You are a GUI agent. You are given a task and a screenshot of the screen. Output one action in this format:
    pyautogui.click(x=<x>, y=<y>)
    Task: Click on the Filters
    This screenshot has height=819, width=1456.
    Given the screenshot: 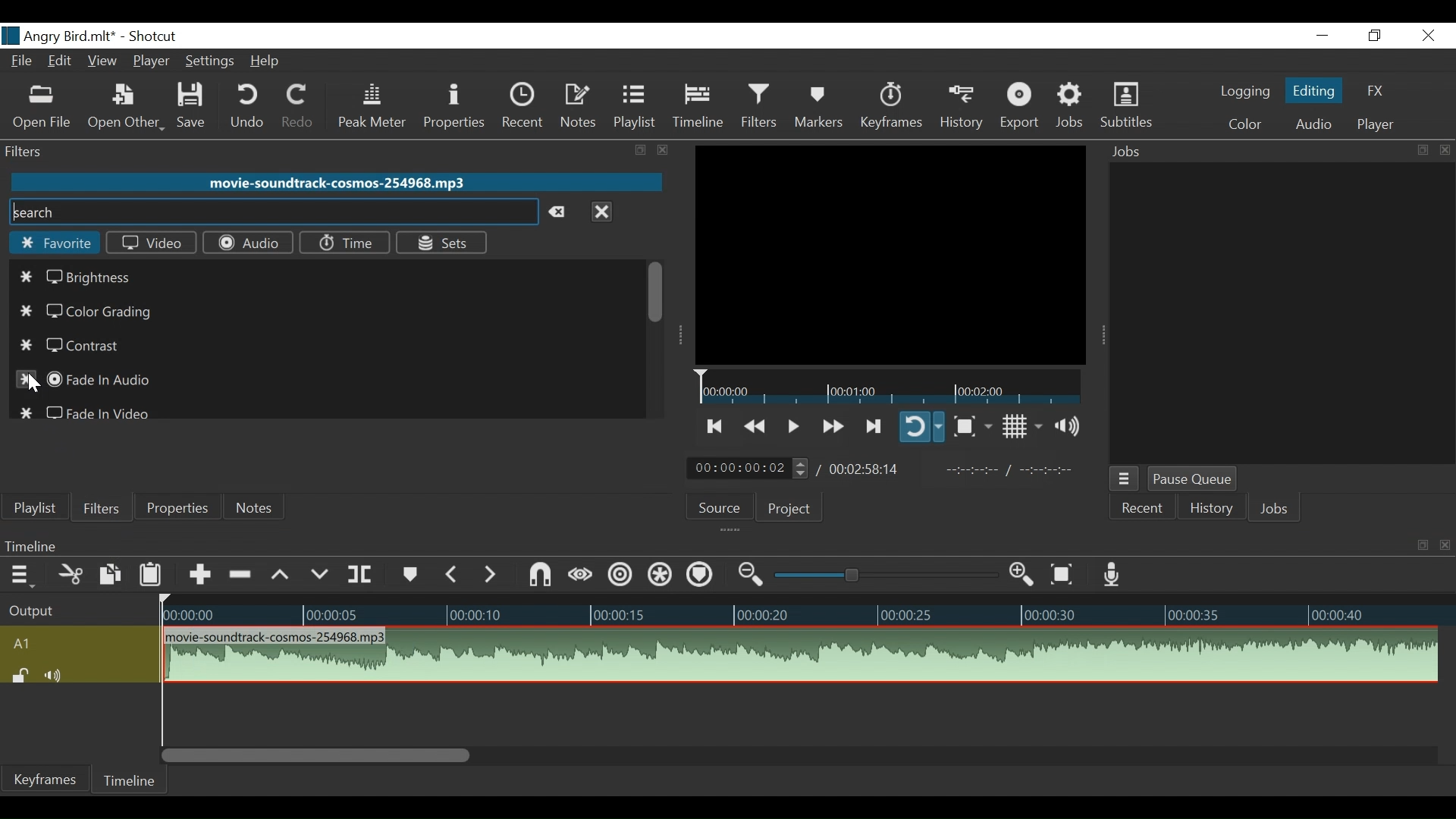 What is the action you would take?
    pyautogui.click(x=99, y=507)
    